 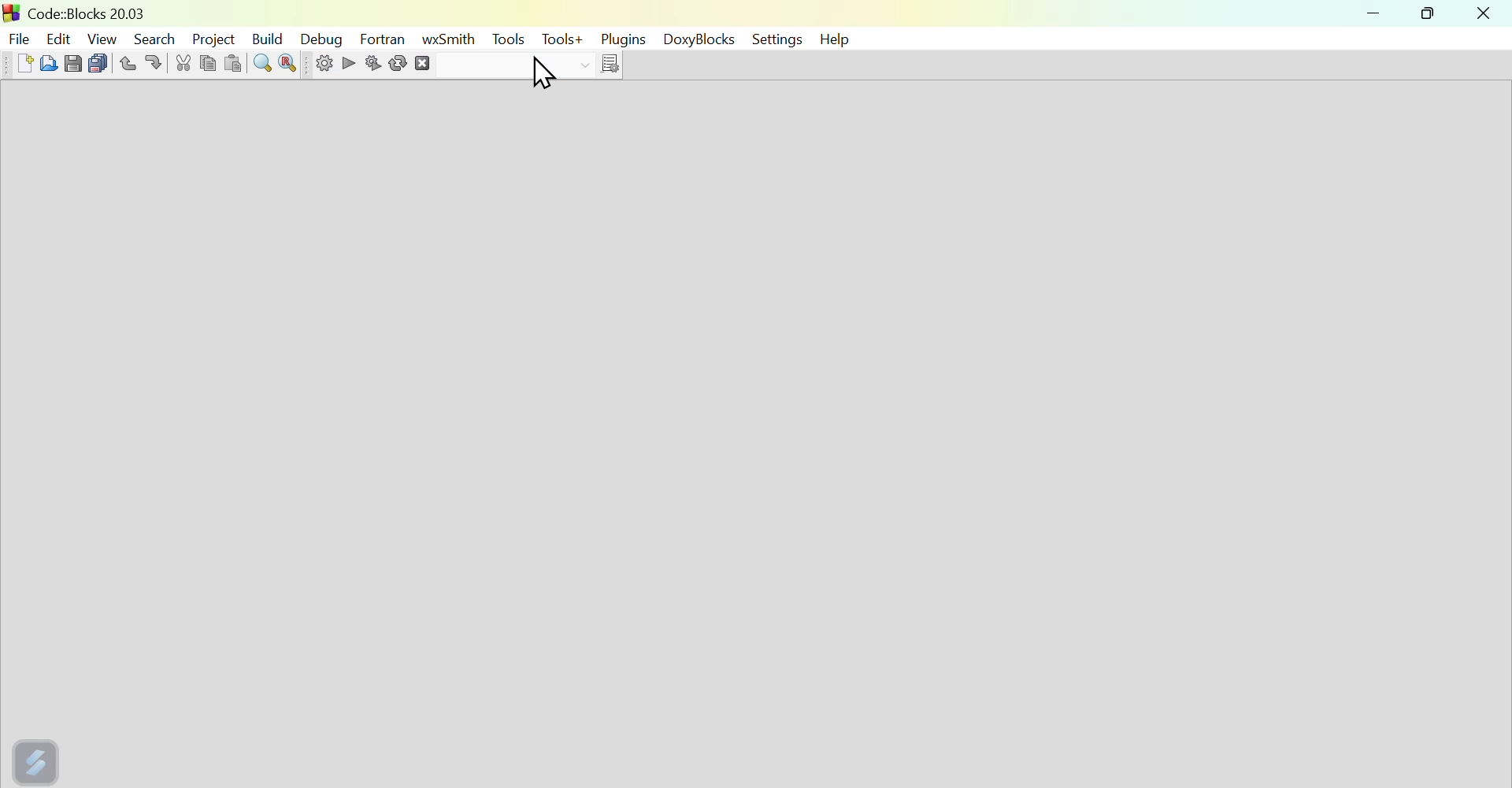 I want to click on , so click(x=287, y=65).